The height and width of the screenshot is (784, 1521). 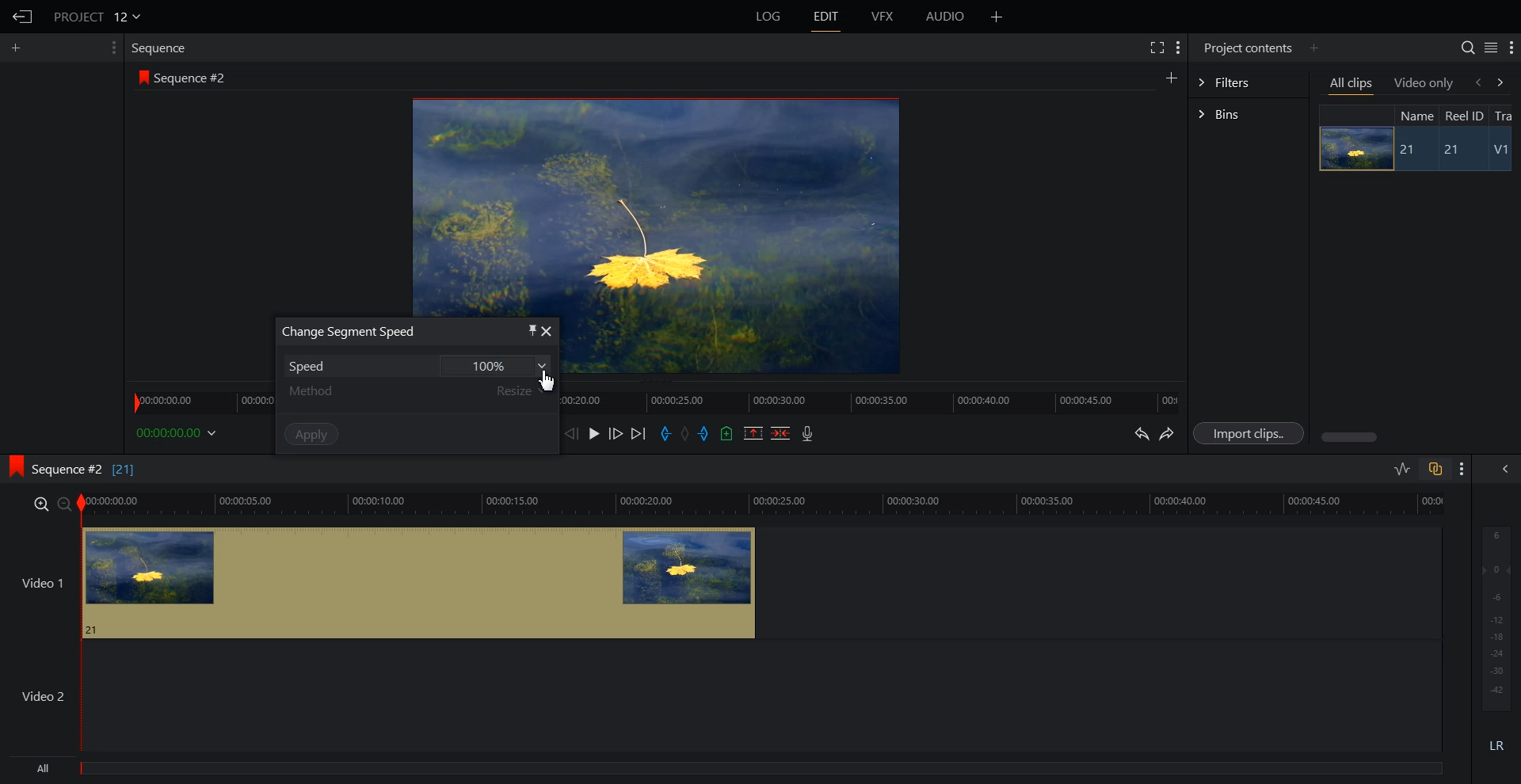 I want to click on backward, so click(x=1477, y=82).